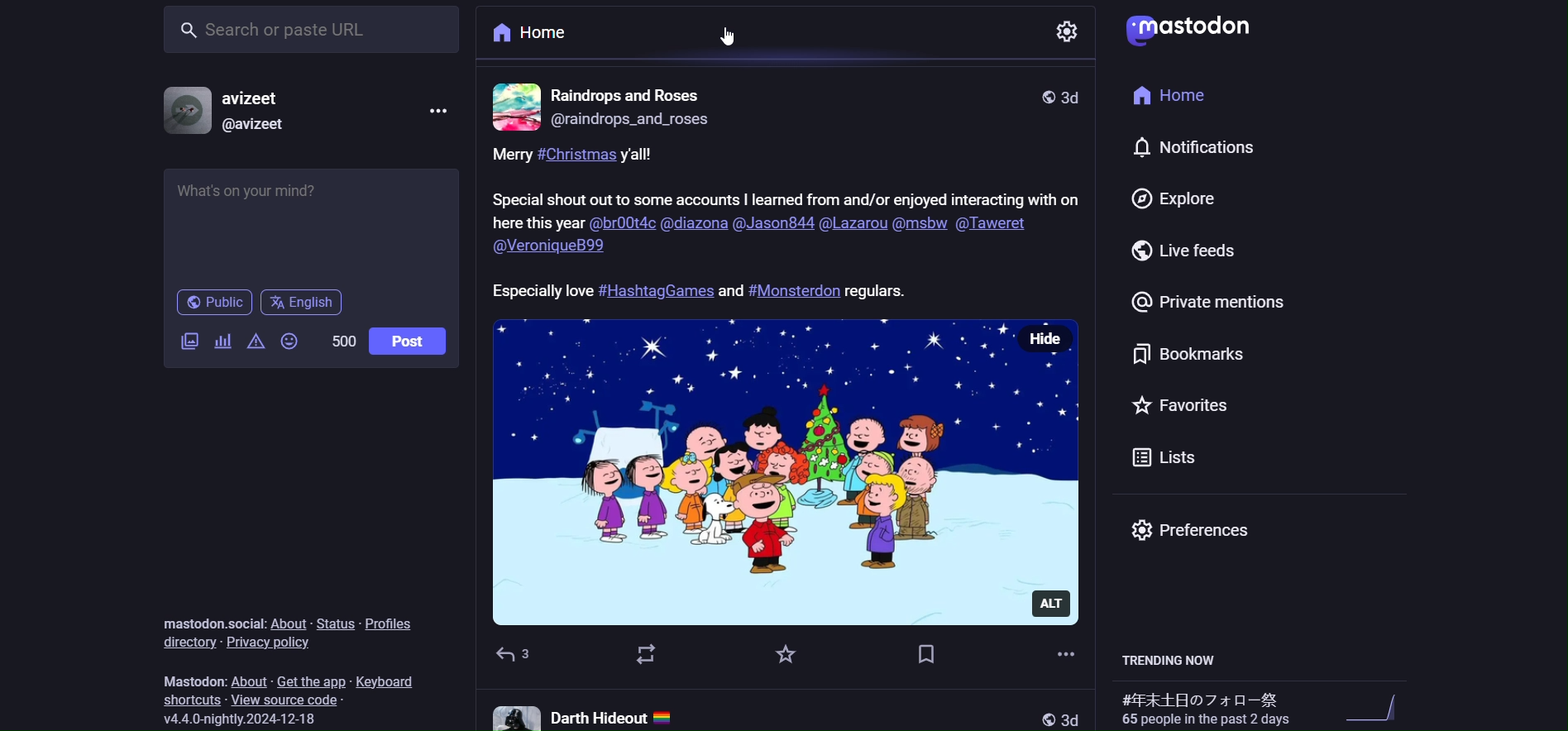 The image size is (1568, 731). Describe the element at coordinates (186, 643) in the screenshot. I see `directory` at that location.